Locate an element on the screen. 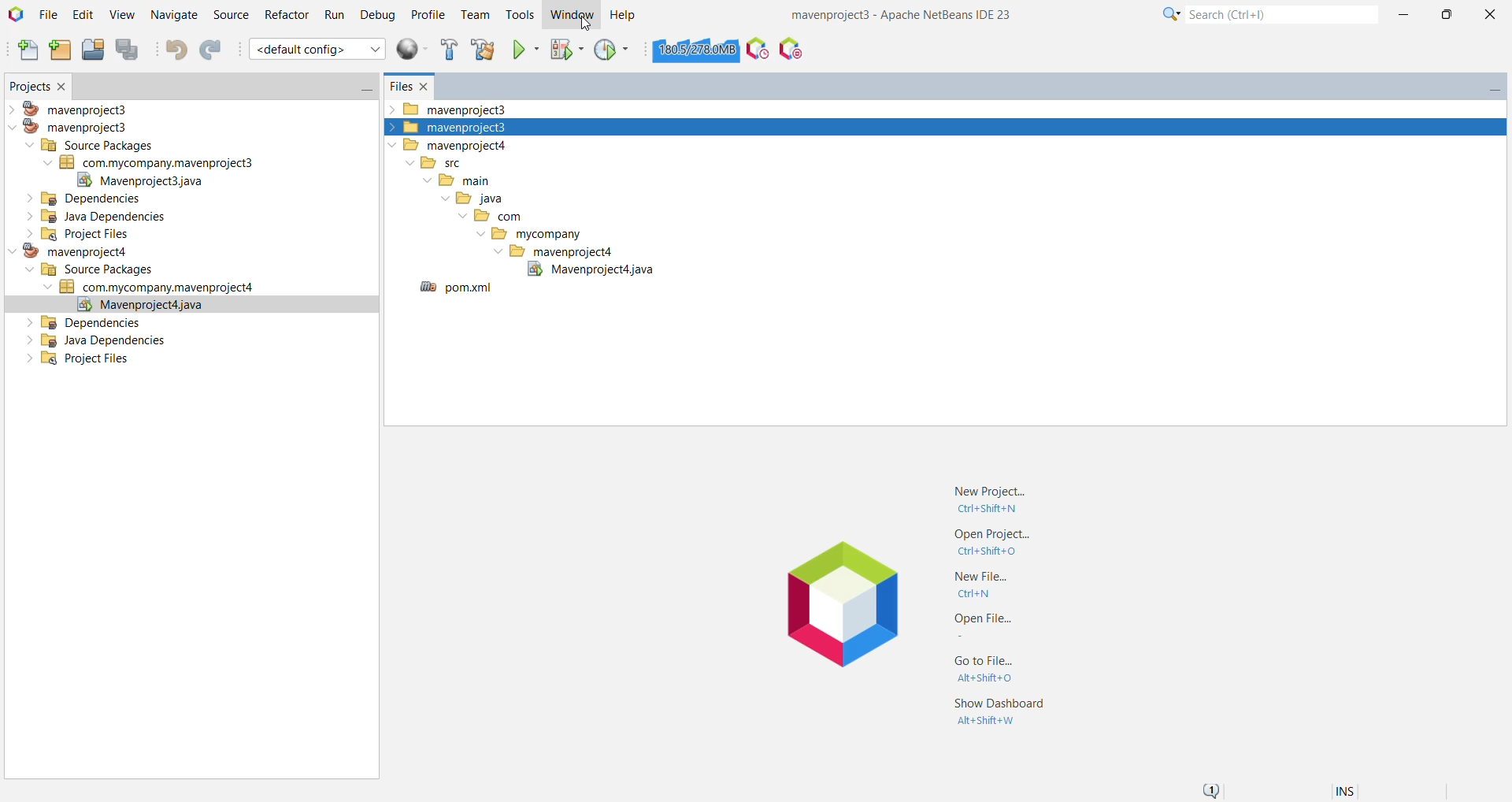 The height and width of the screenshot is (802, 1512). Help is located at coordinates (624, 16).